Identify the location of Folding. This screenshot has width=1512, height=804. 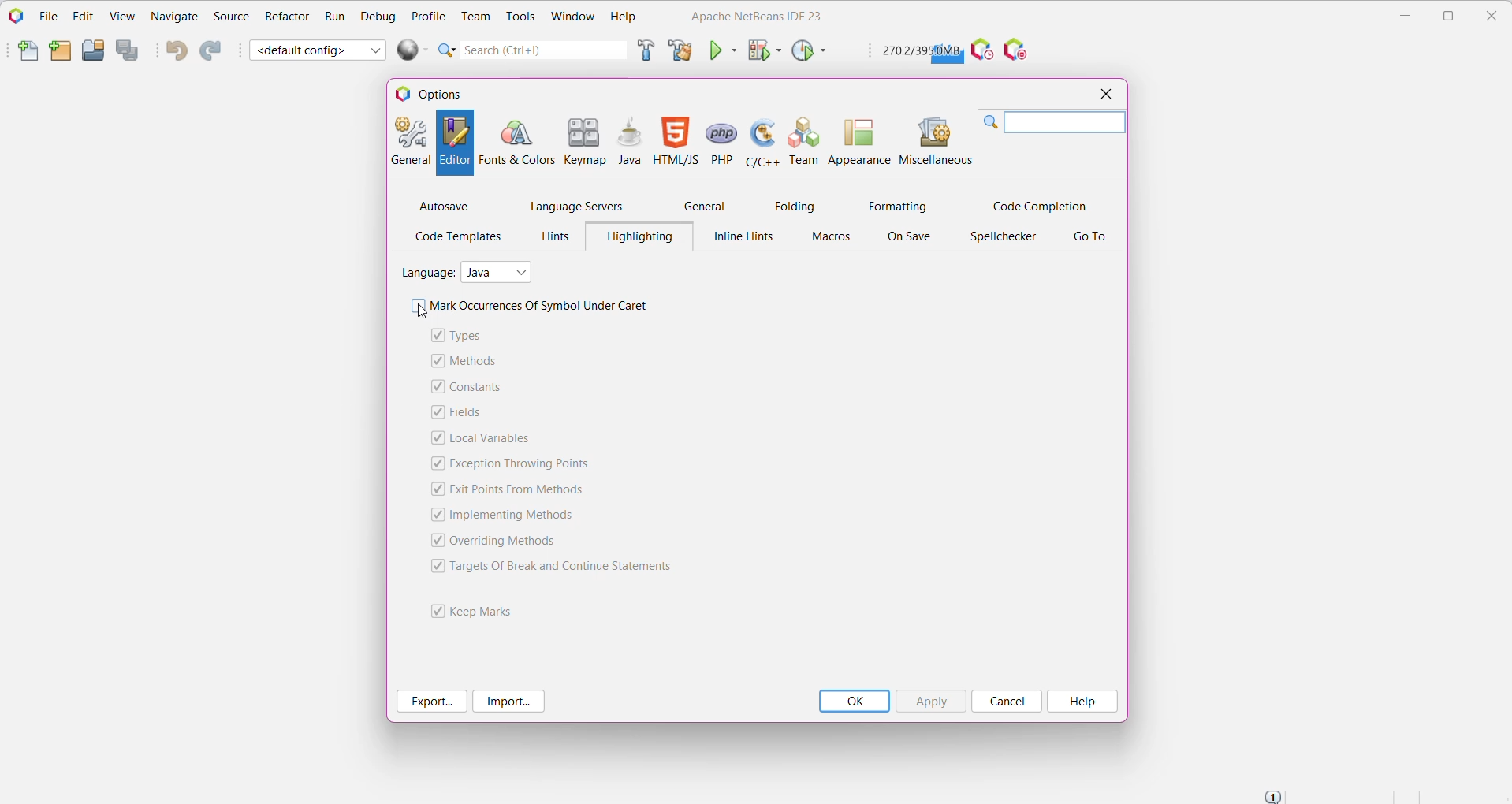
(795, 206).